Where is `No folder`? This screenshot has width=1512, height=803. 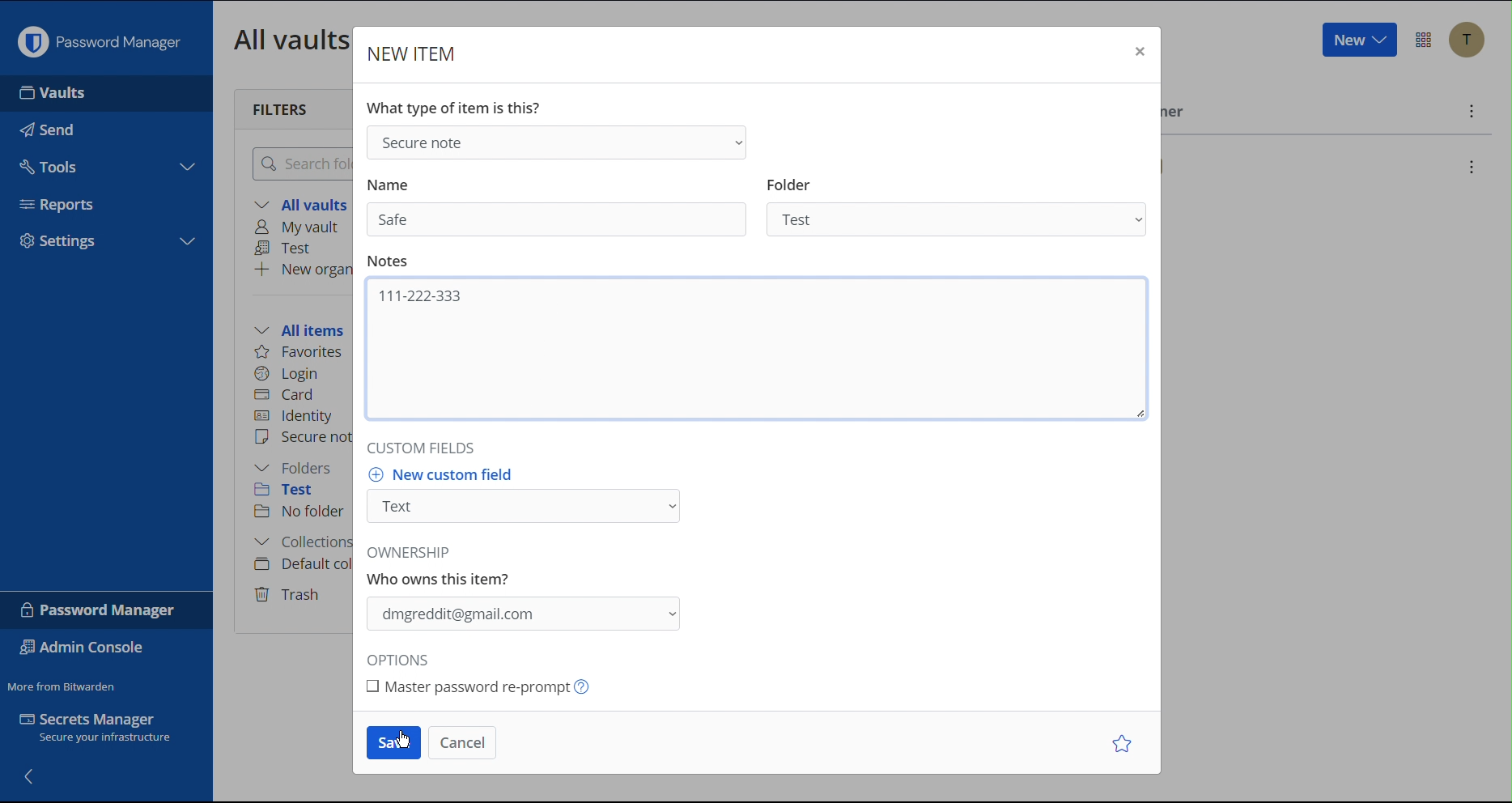
No folder is located at coordinates (301, 512).